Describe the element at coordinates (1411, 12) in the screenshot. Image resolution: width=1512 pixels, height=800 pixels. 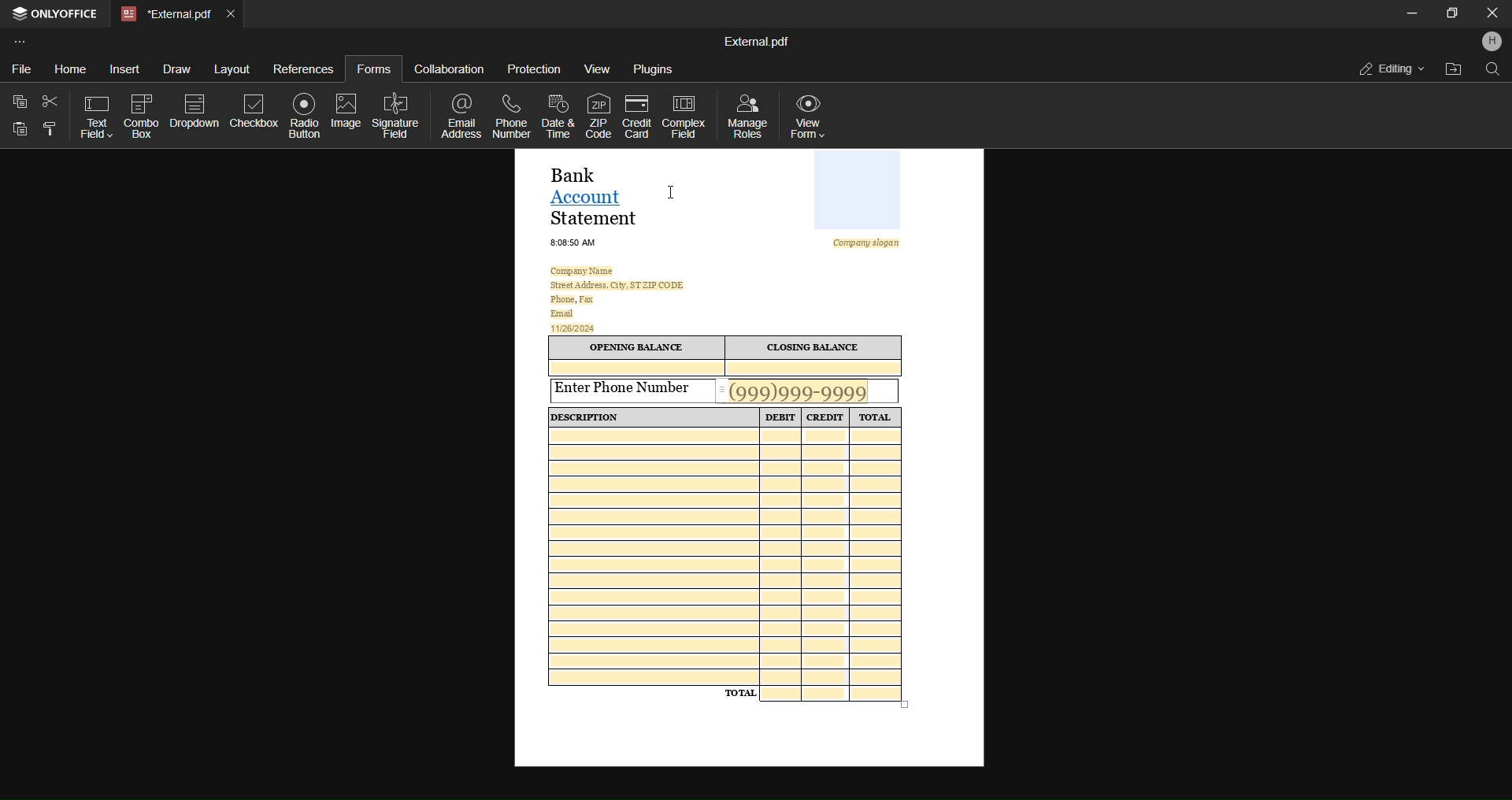
I see `minimize` at that location.